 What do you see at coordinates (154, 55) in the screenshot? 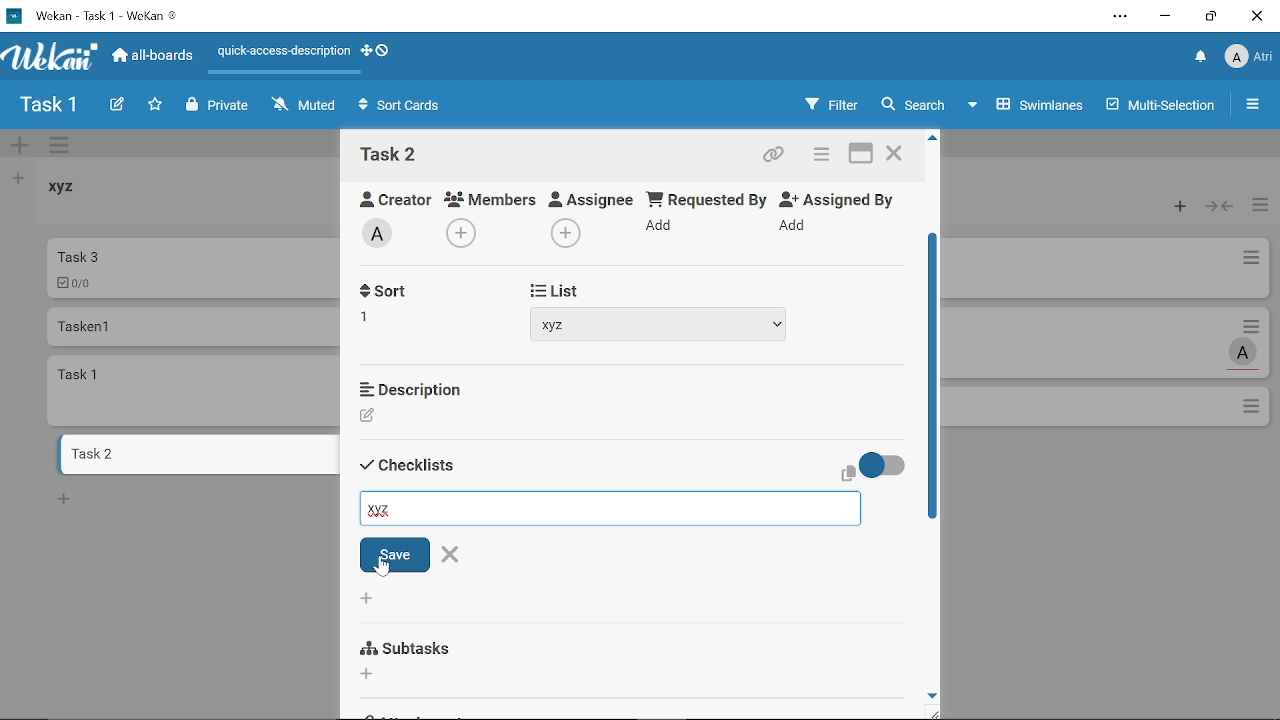
I see `All boards` at bounding box center [154, 55].